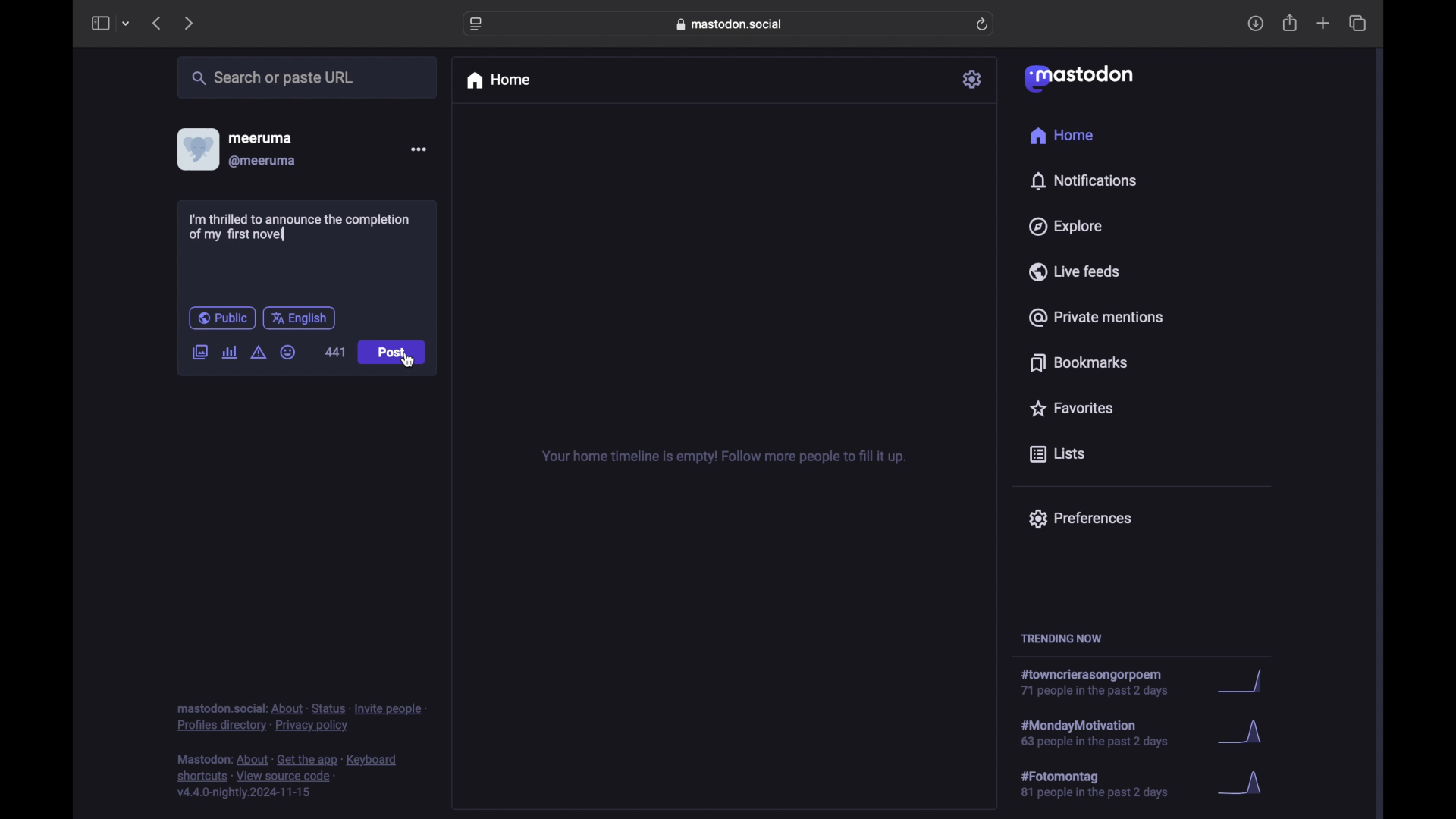 The image size is (1456, 819). I want to click on add image, so click(199, 353).